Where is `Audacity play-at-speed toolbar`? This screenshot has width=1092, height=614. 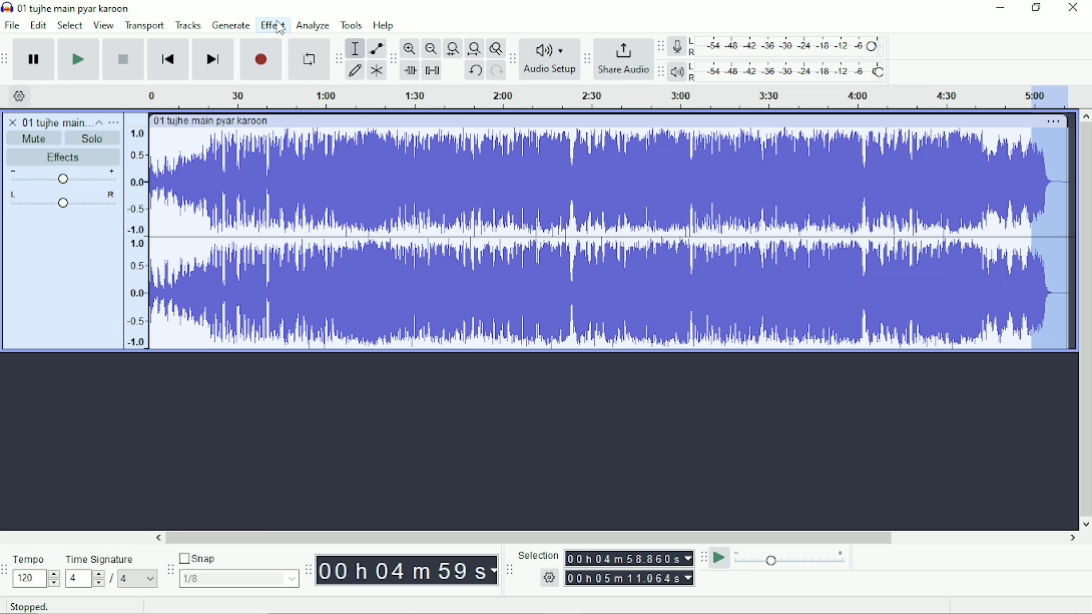 Audacity play-at-speed toolbar is located at coordinates (703, 558).